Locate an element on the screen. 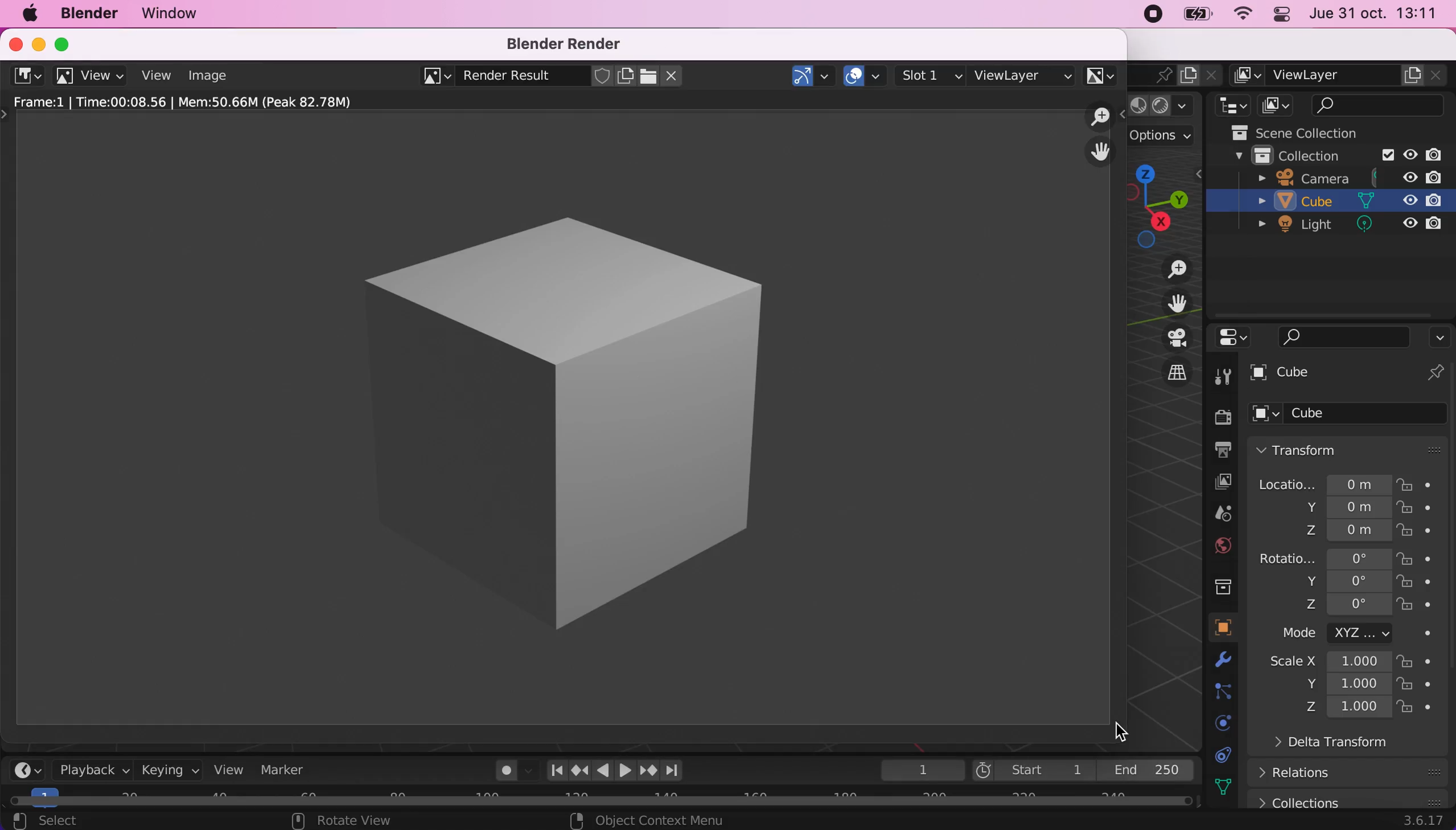 The image size is (1456, 830). rotation is located at coordinates (1323, 557).